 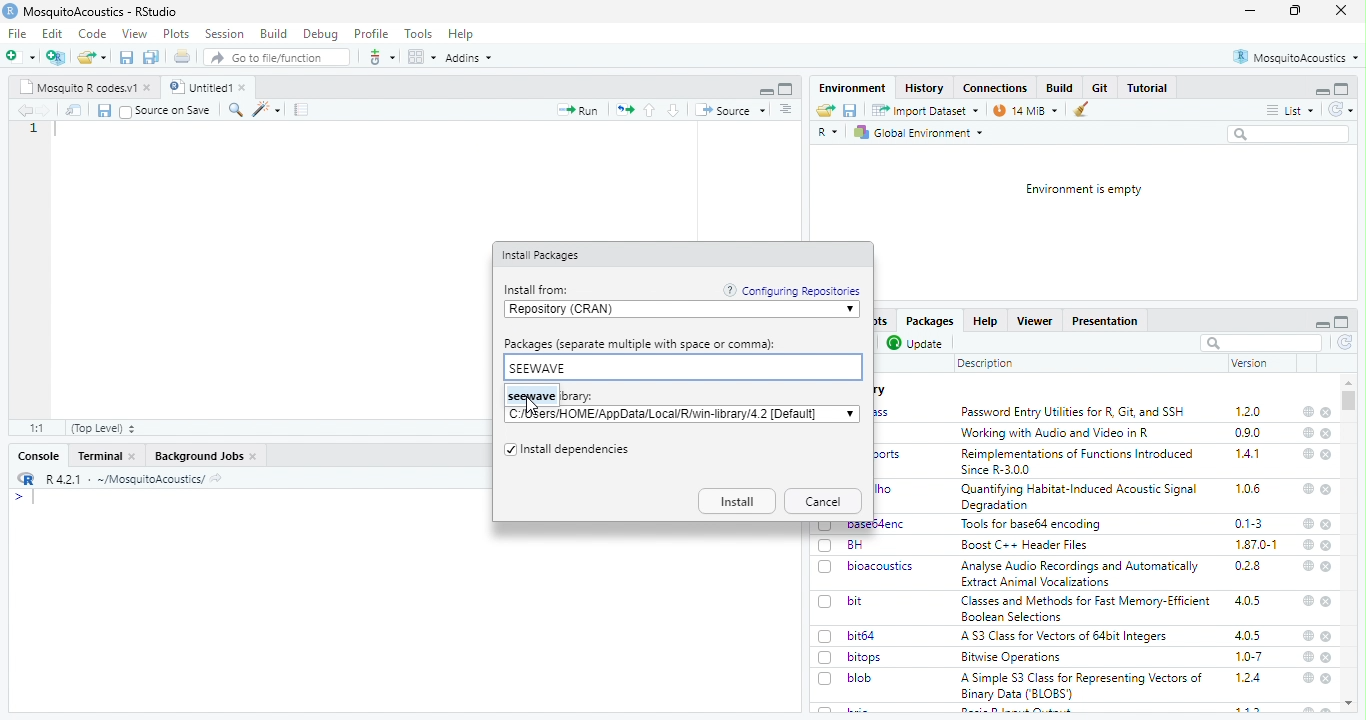 I want to click on Console, so click(x=40, y=456).